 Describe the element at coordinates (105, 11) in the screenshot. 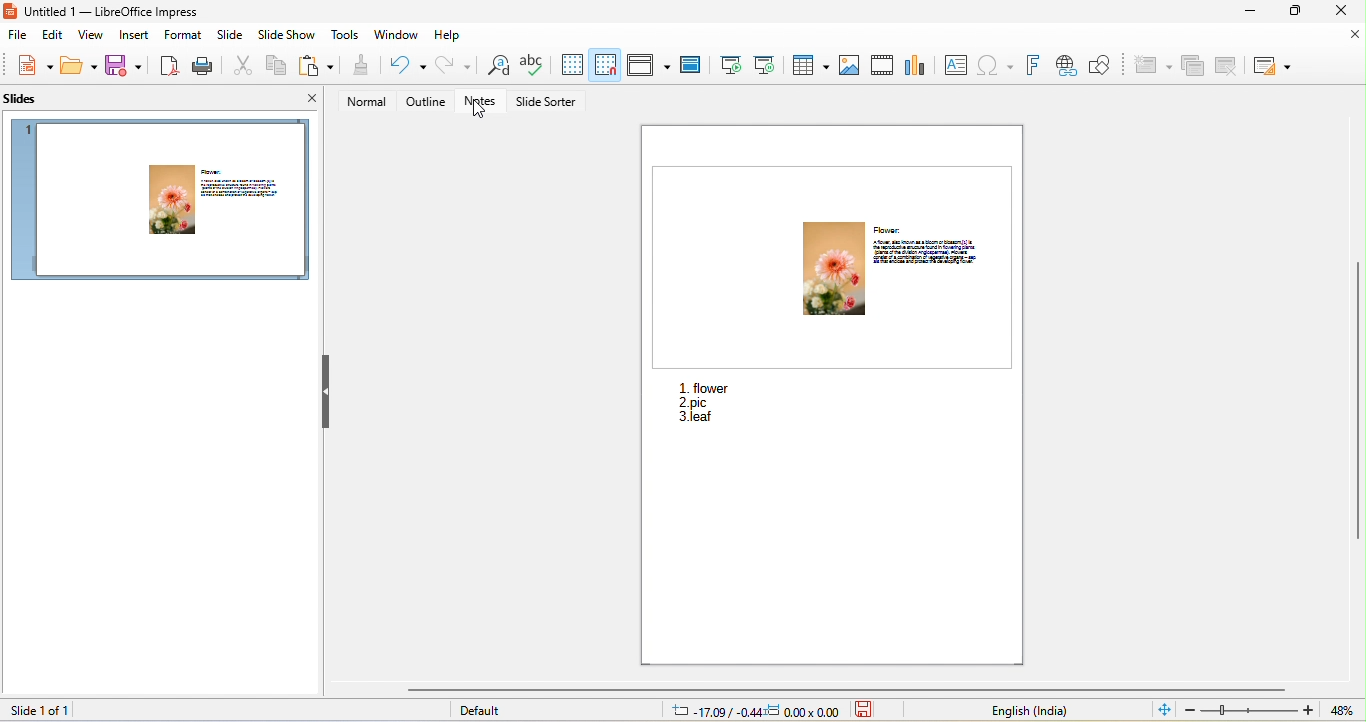

I see ` Untitled 1 — LibreOffice Impress` at that location.